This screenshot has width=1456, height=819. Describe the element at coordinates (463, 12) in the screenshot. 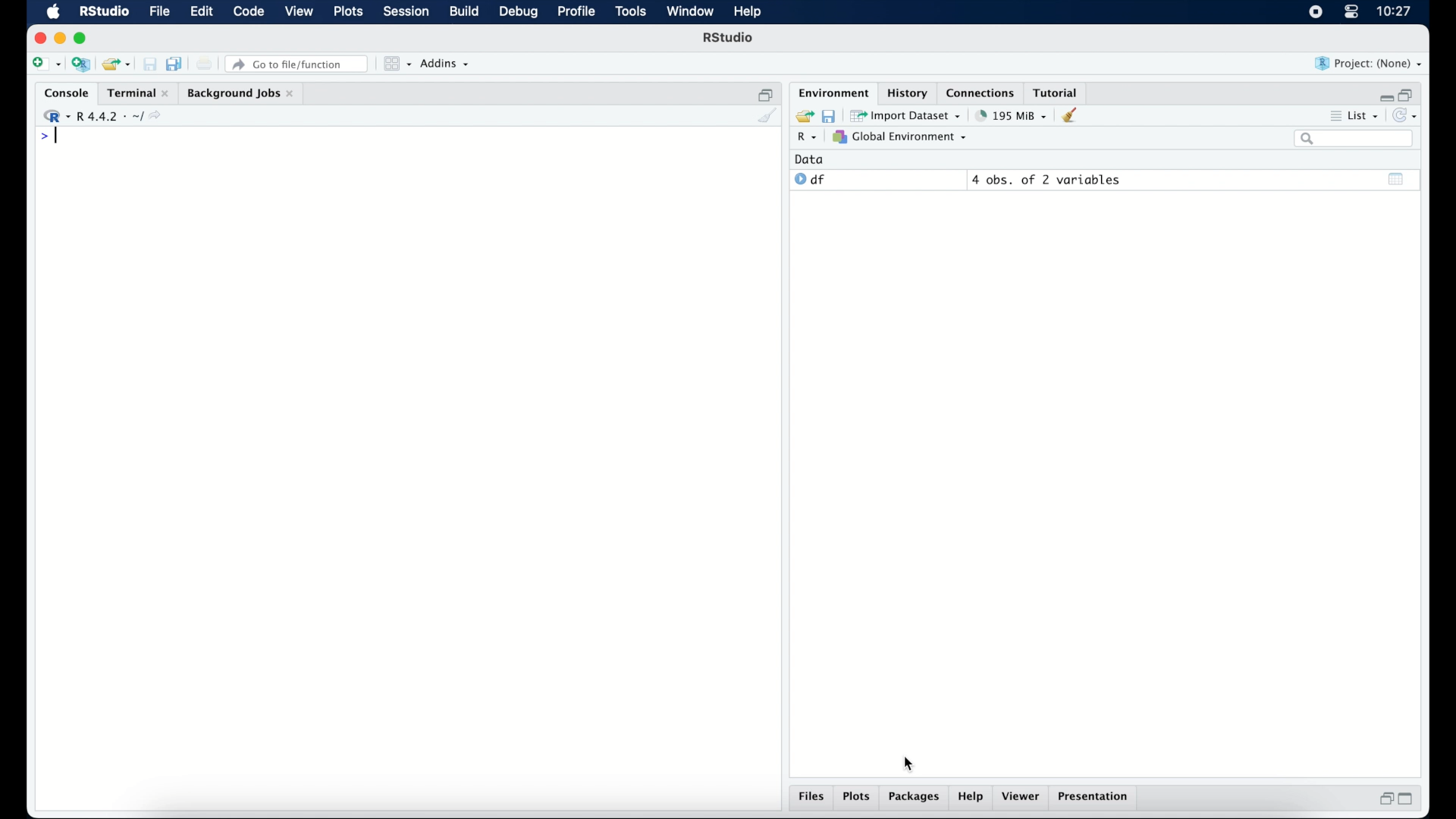

I see `build` at that location.